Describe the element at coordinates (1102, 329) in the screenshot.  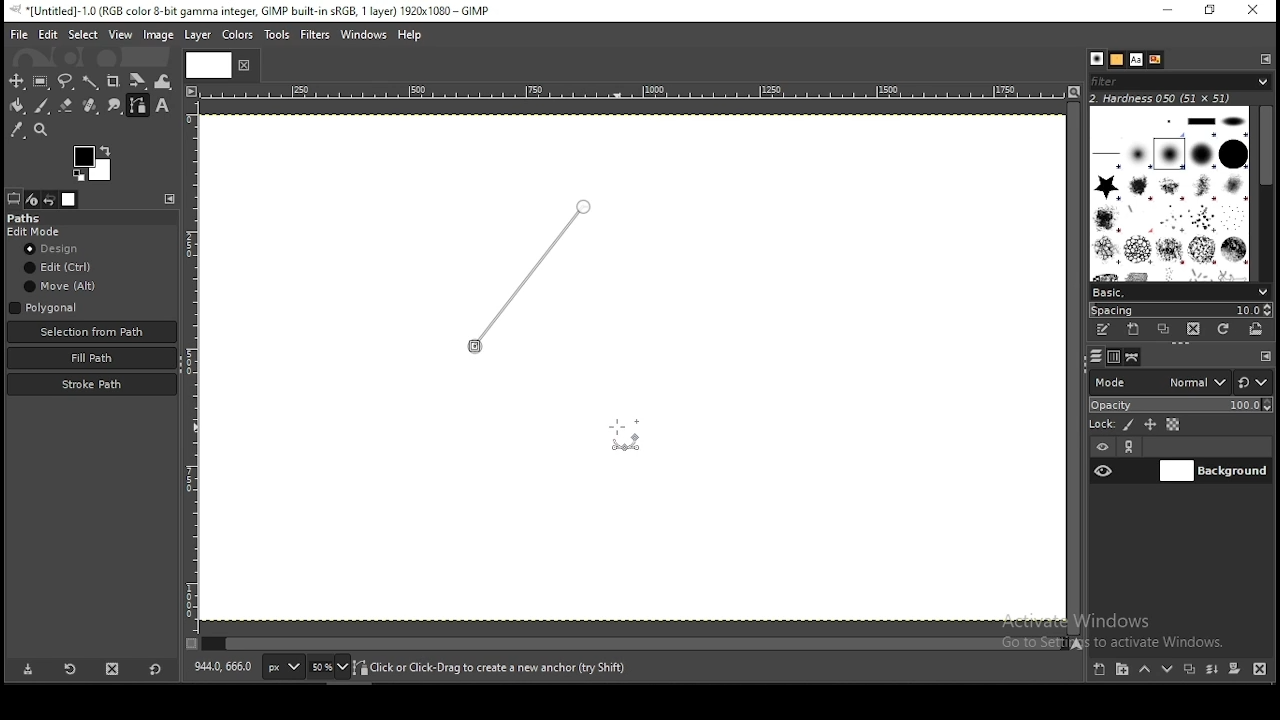
I see `edit this brush` at that location.